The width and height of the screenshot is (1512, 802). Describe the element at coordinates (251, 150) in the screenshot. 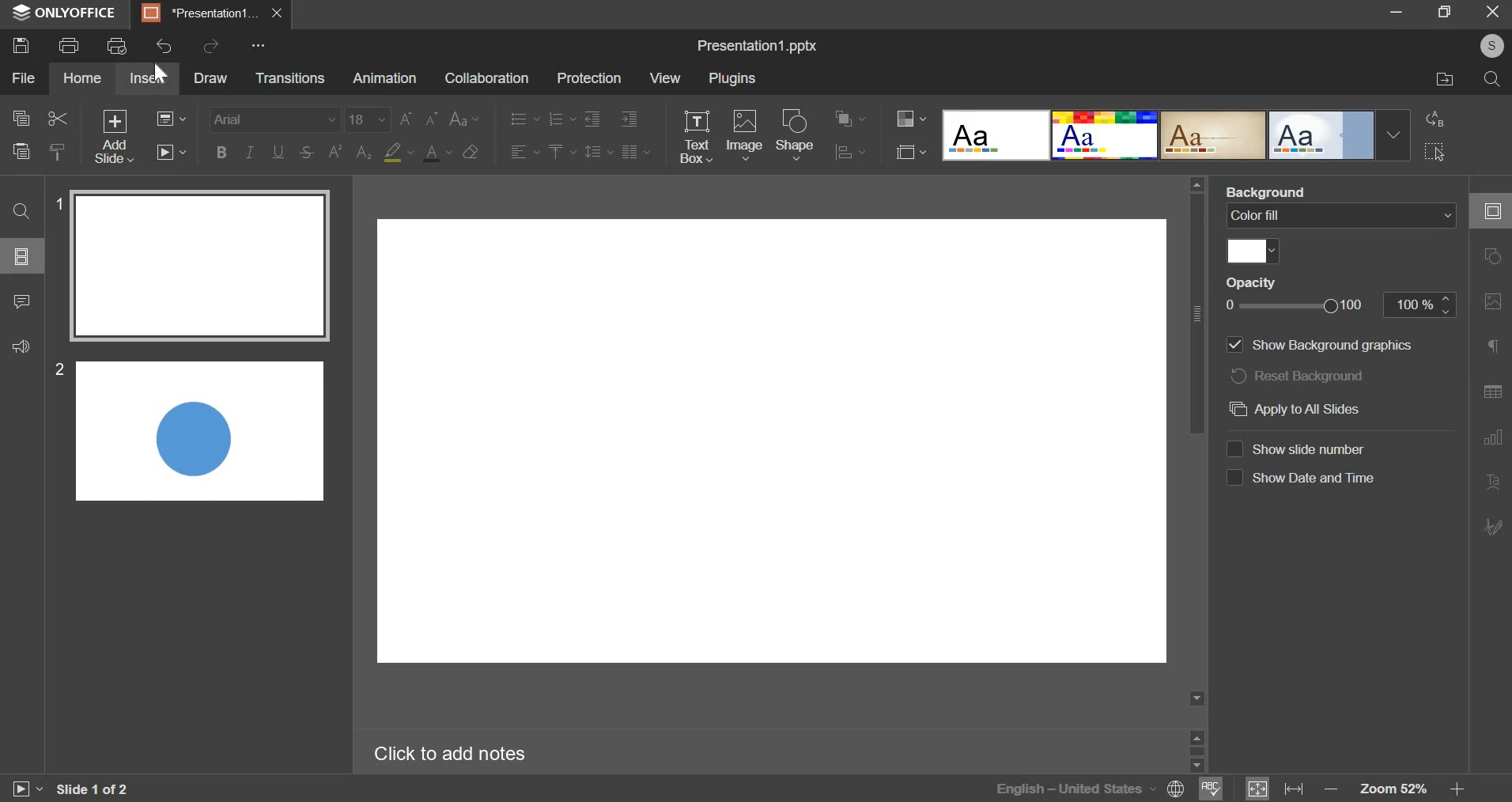

I see `italic` at that location.